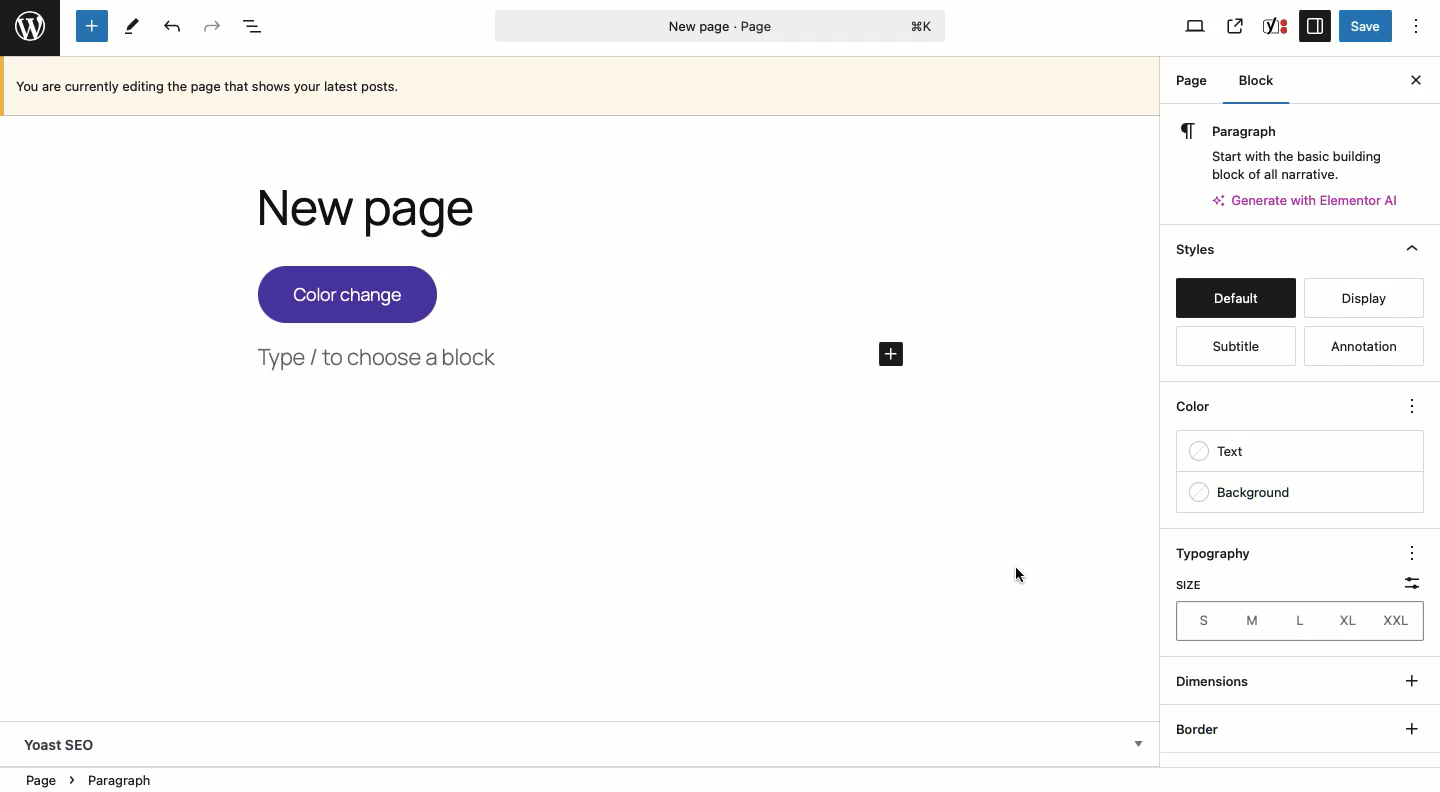  Describe the element at coordinates (1290, 406) in the screenshot. I see `Color` at that location.